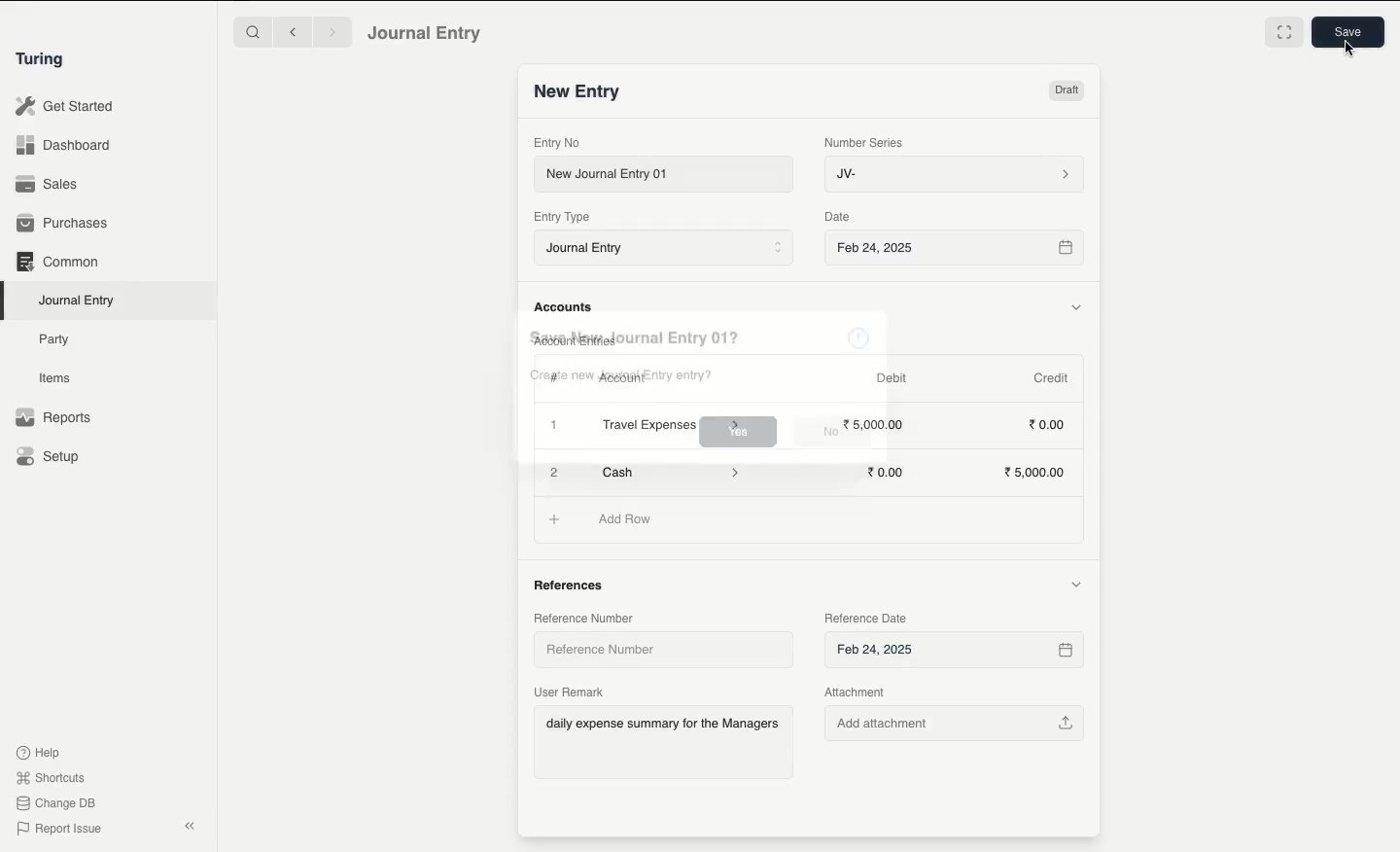 This screenshot has height=852, width=1400. I want to click on Debit, so click(892, 378).